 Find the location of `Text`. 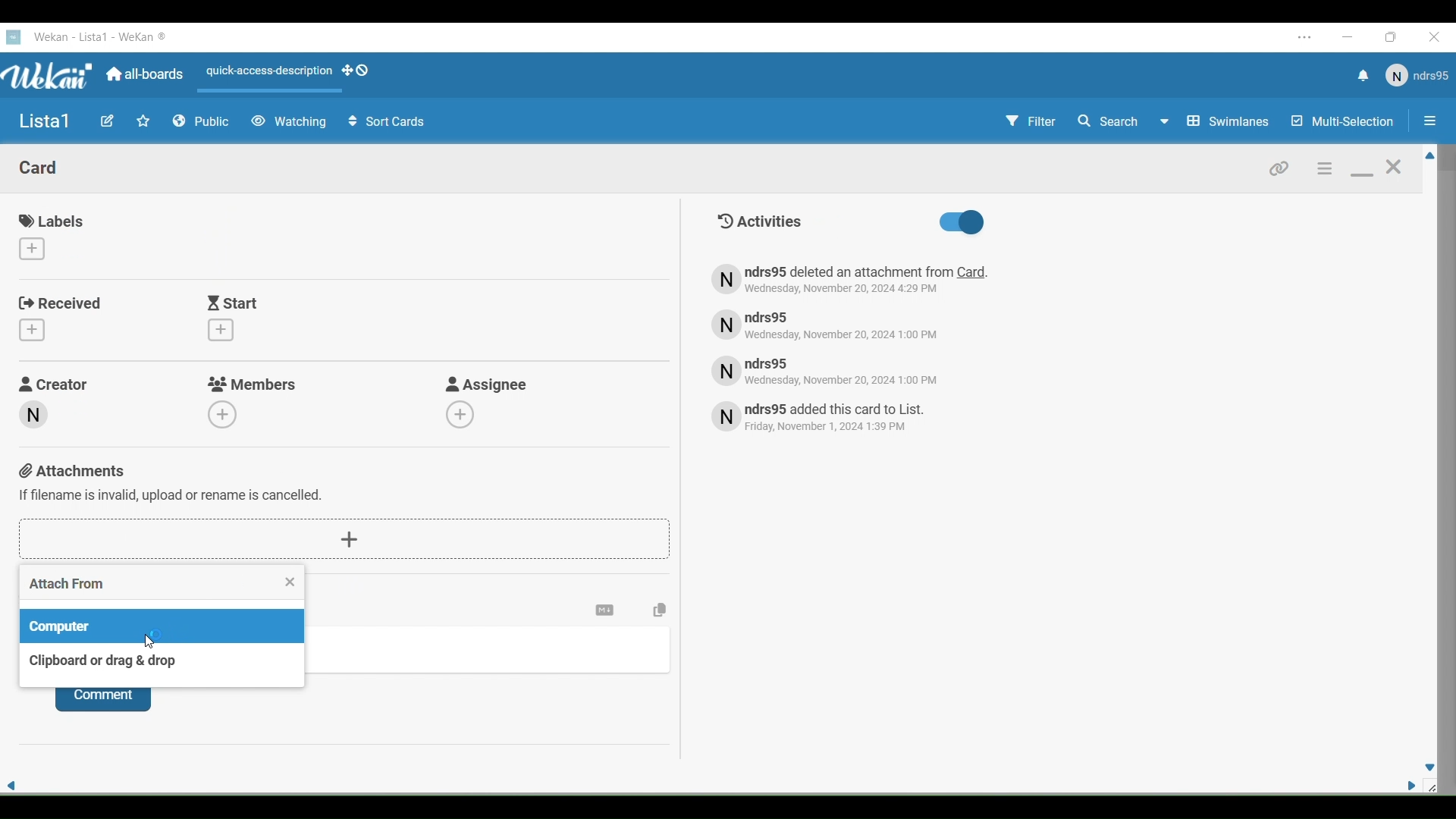

Text is located at coordinates (836, 324).